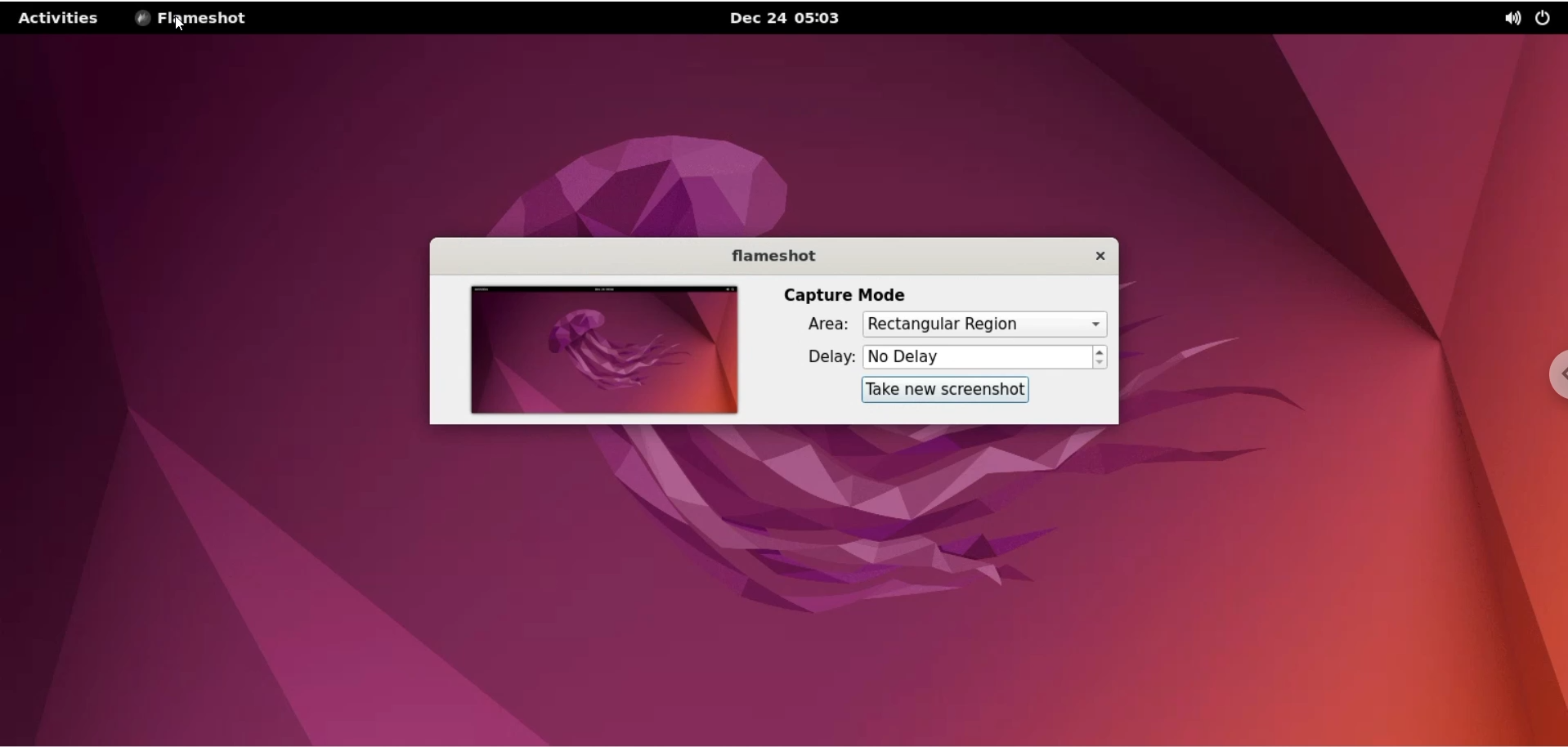 The image size is (1568, 747). Describe the element at coordinates (1512, 18) in the screenshot. I see `sound options` at that location.